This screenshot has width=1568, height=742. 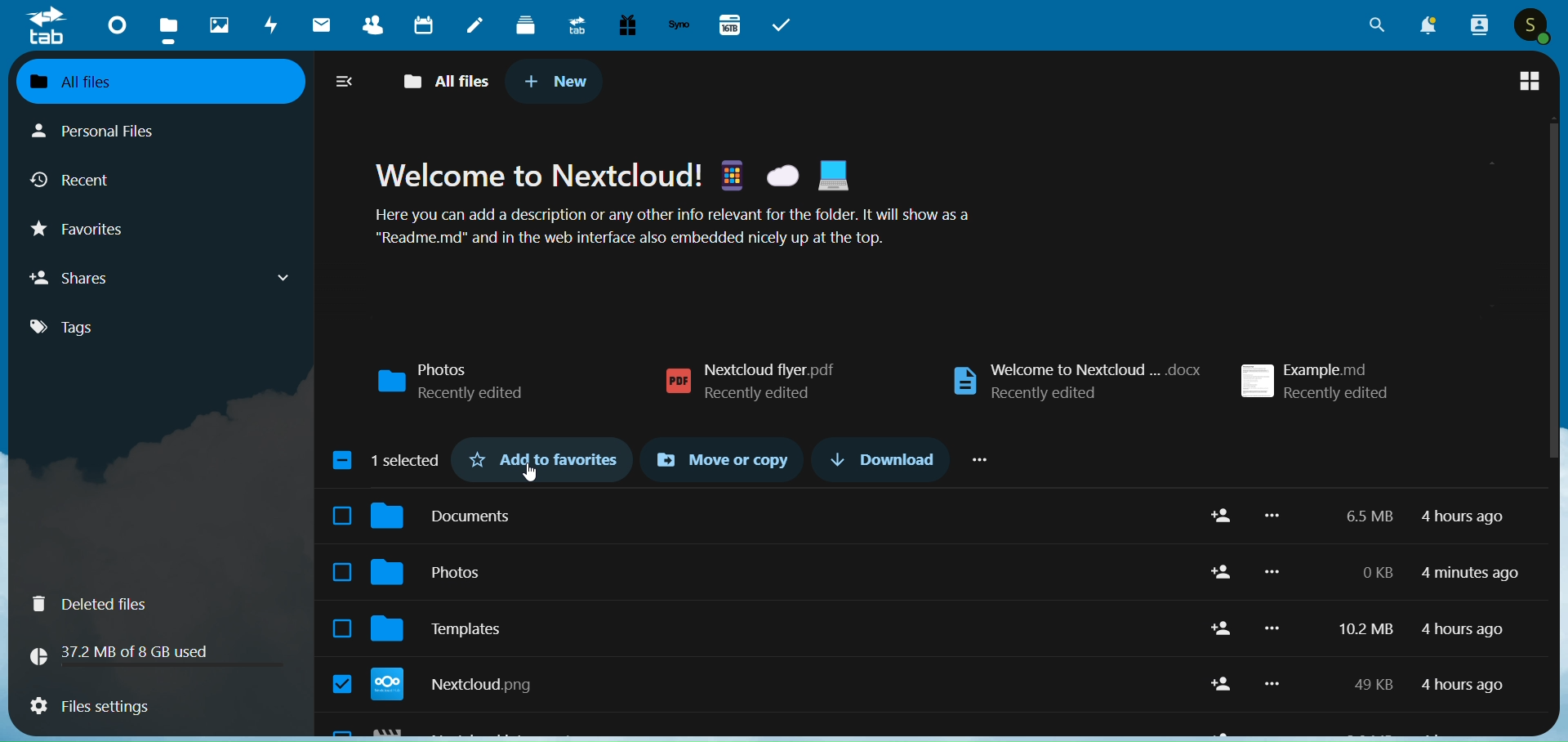 What do you see at coordinates (322, 25) in the screenshot?
I see `mail` at bounding box center [322, 25].